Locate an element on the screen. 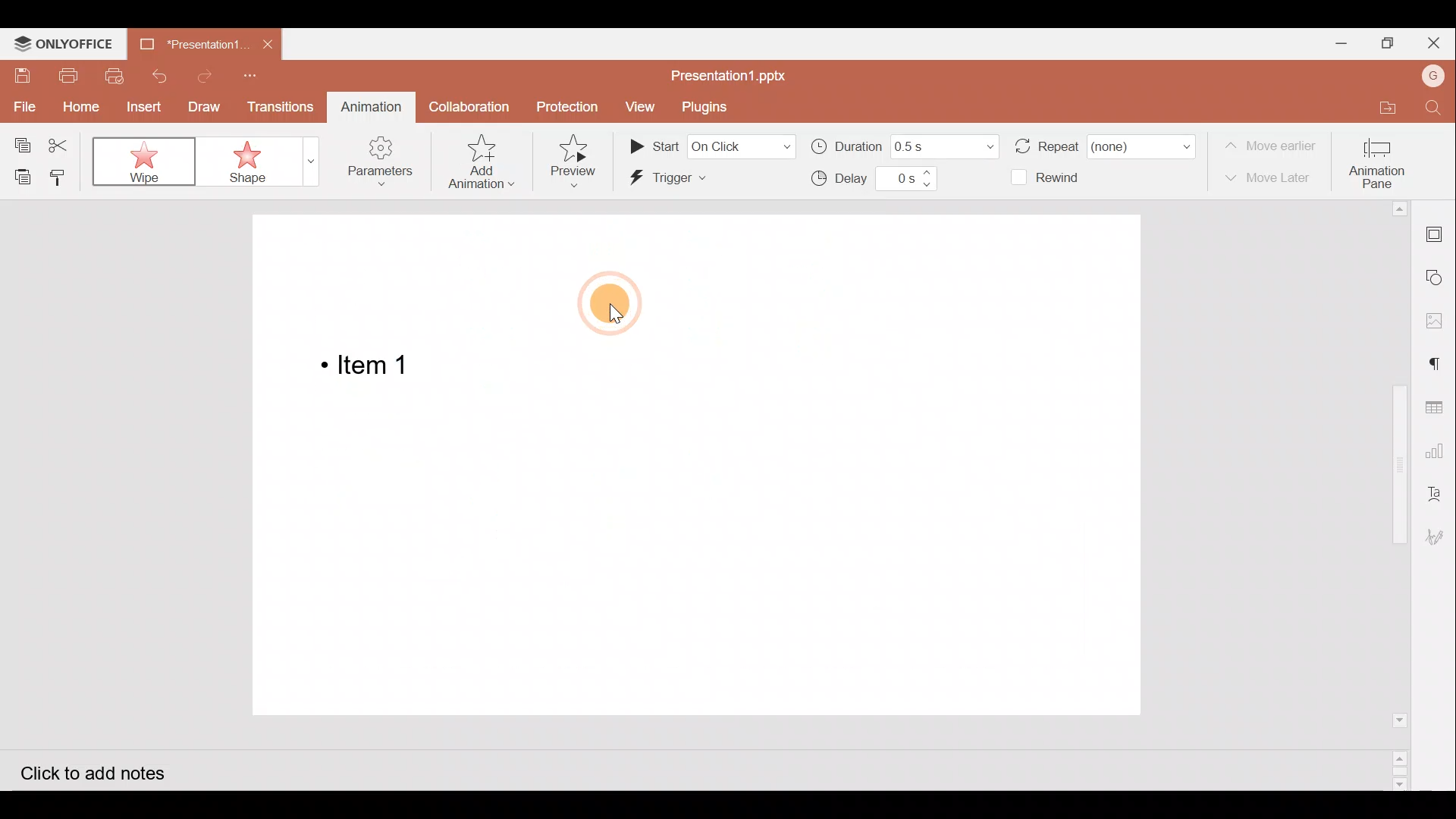 The height and width of the screenshot is (819, 1456). Shape is located at coordinates (261, 162).